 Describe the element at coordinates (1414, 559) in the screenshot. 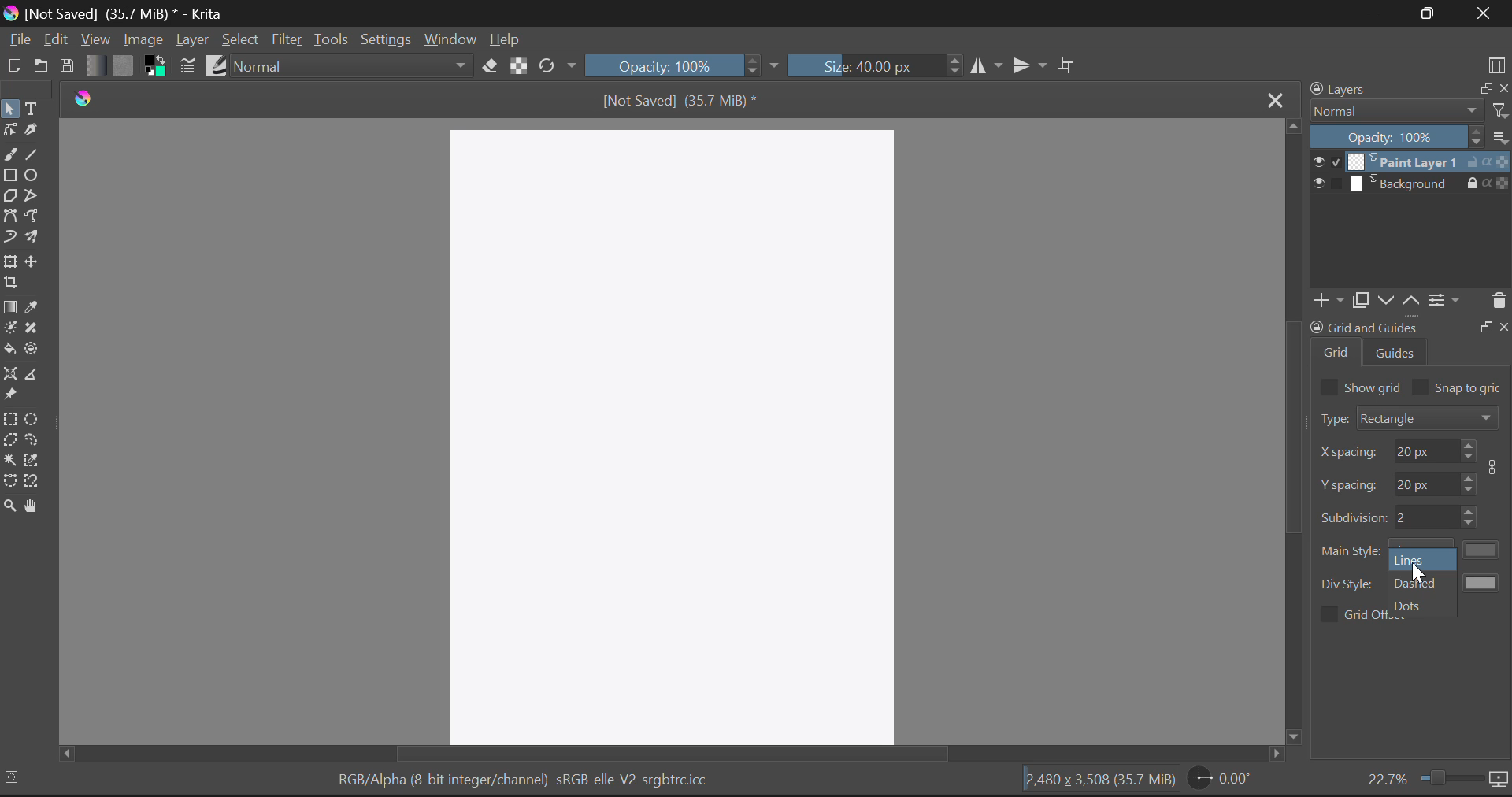

I see `Cursor on Lines` at that location.